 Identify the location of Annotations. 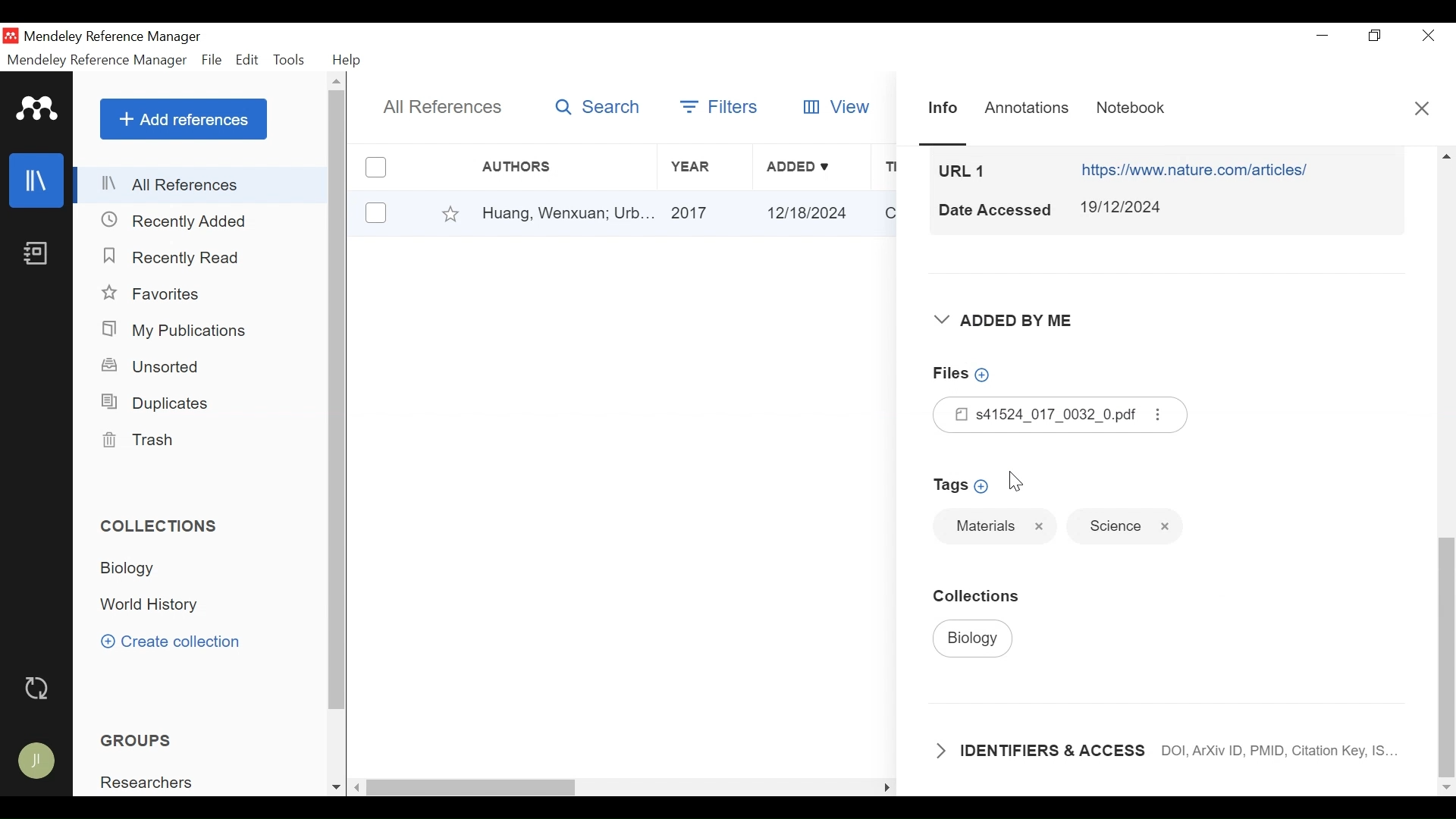
(1026, 108).